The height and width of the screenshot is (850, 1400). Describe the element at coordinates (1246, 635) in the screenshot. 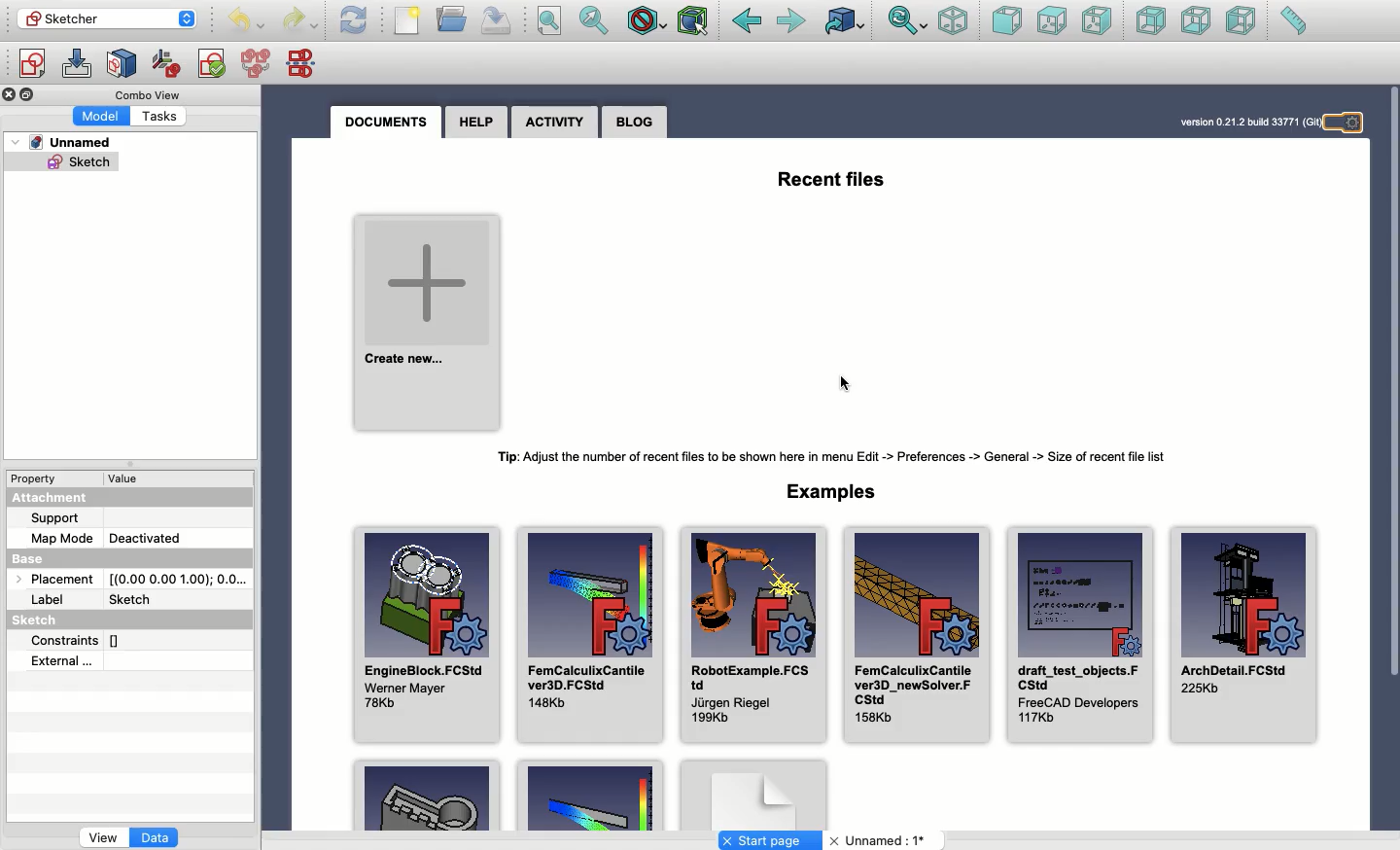

I see `ArchDetail.FCStd 225Kb` at that location.